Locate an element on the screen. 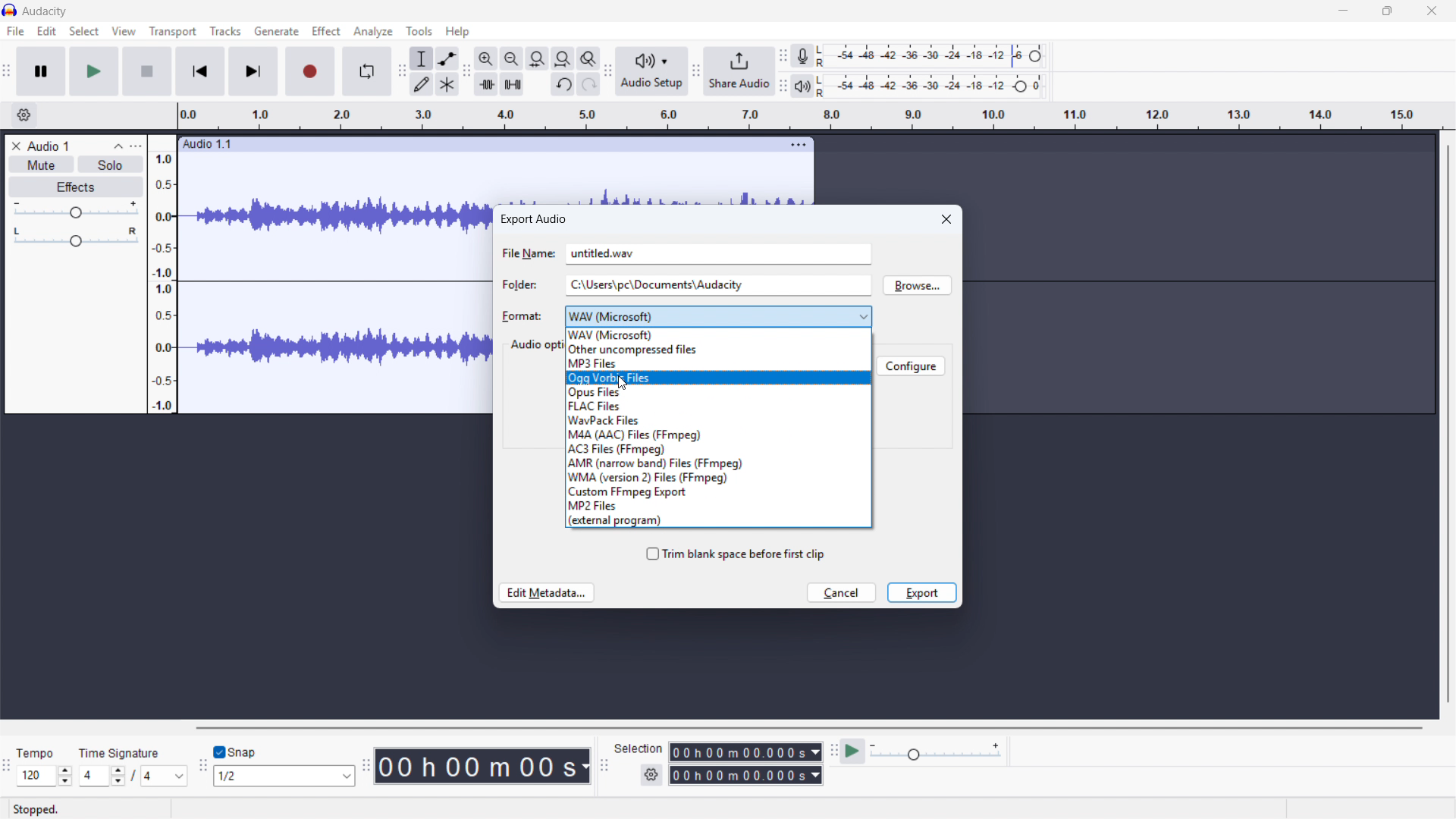 This screenshot has height=819, width=1456. format is located at coordinates (519, 317).